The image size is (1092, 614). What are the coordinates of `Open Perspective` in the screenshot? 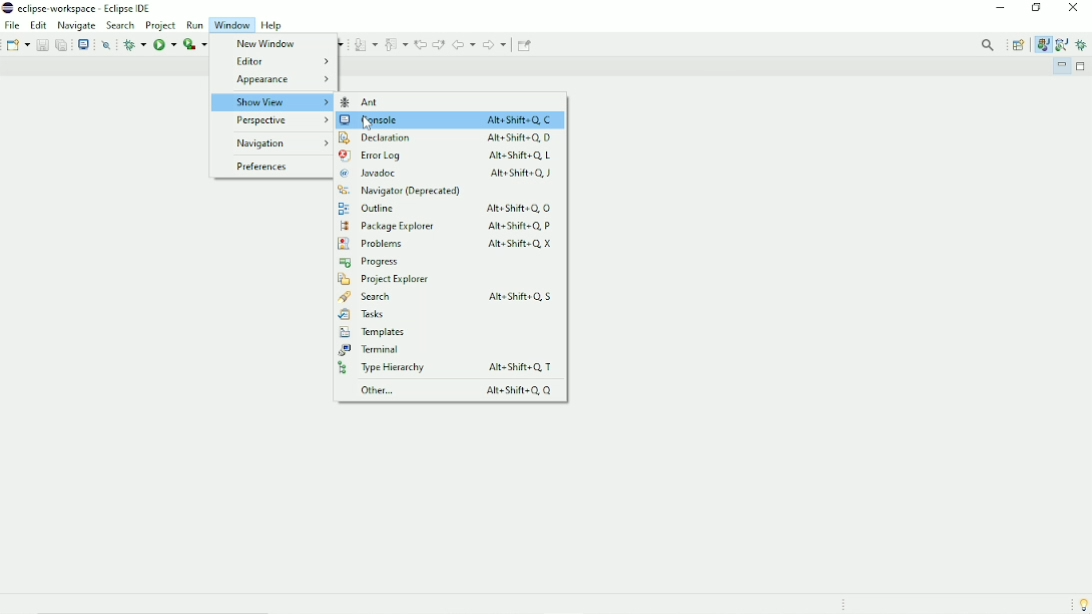 It's located at (1018, 45).